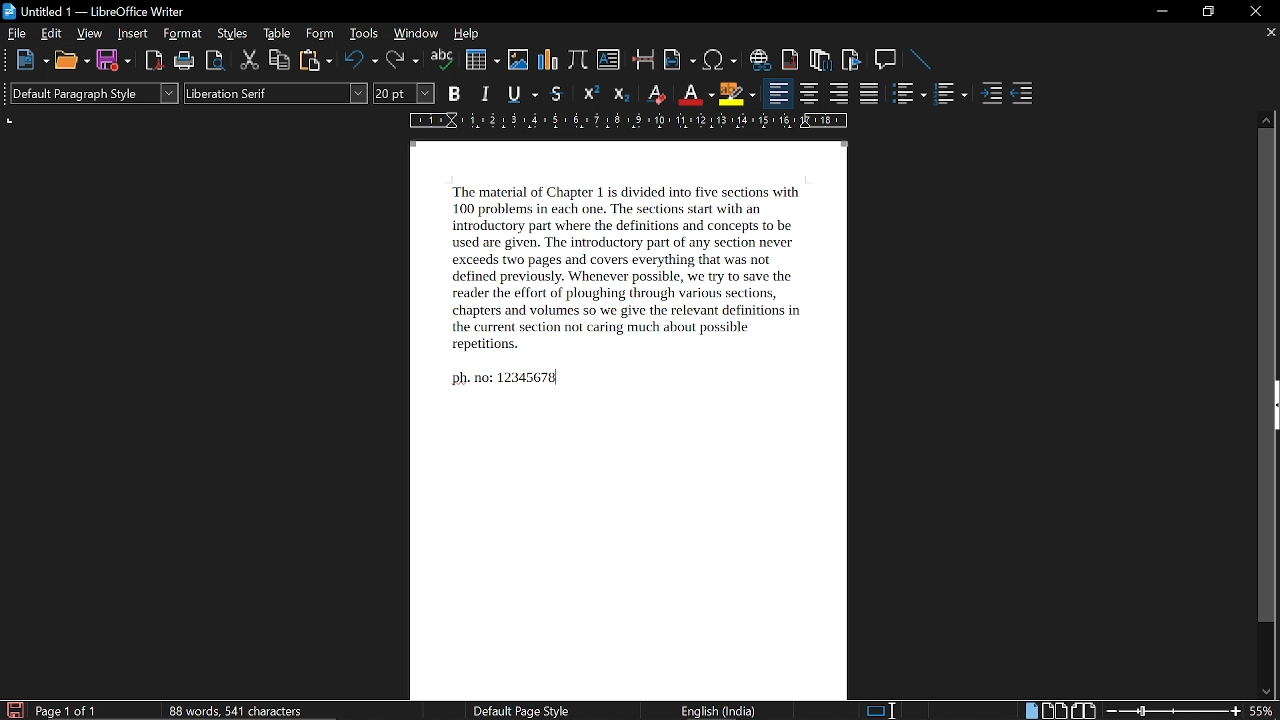 This screenshot has height=720, width=1280. Describe the element at coordinates (466, 36) in the screenshot. I see `help` at that location.